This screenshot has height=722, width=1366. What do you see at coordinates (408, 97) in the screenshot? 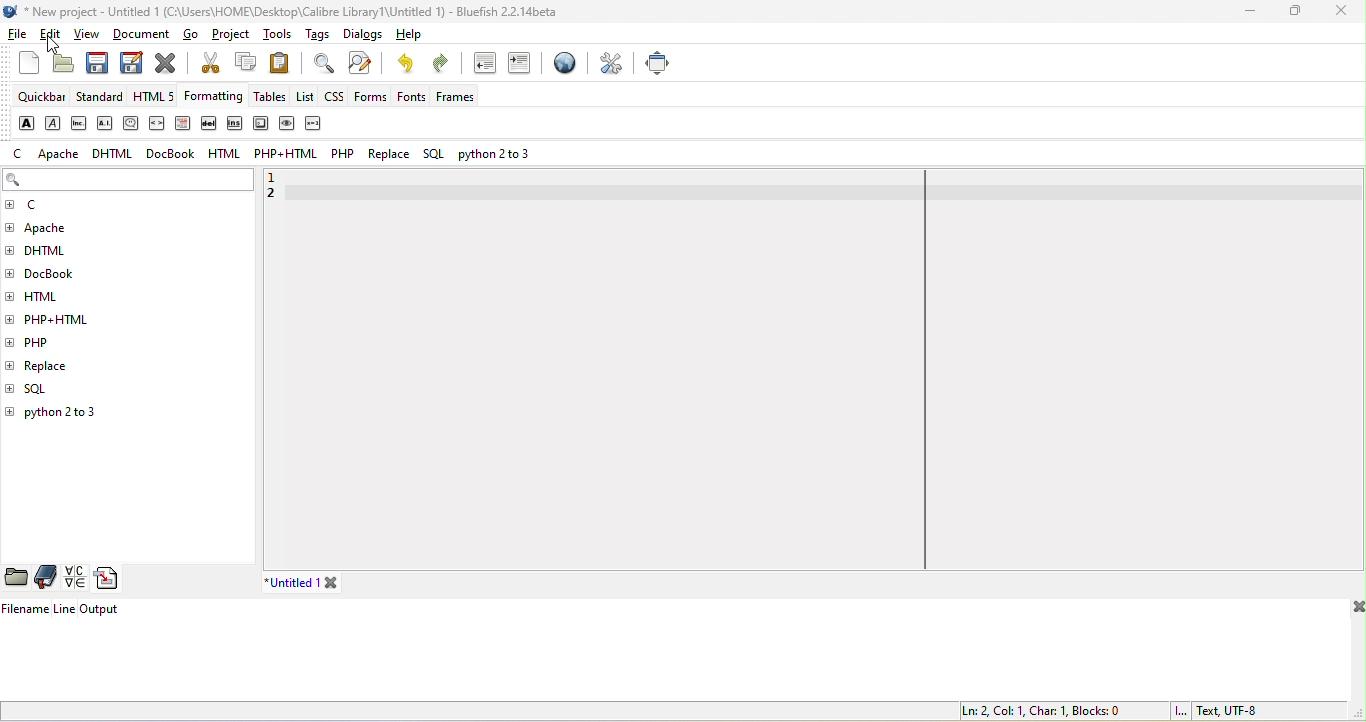
I see `fonts` at bounding box center [408, 97].